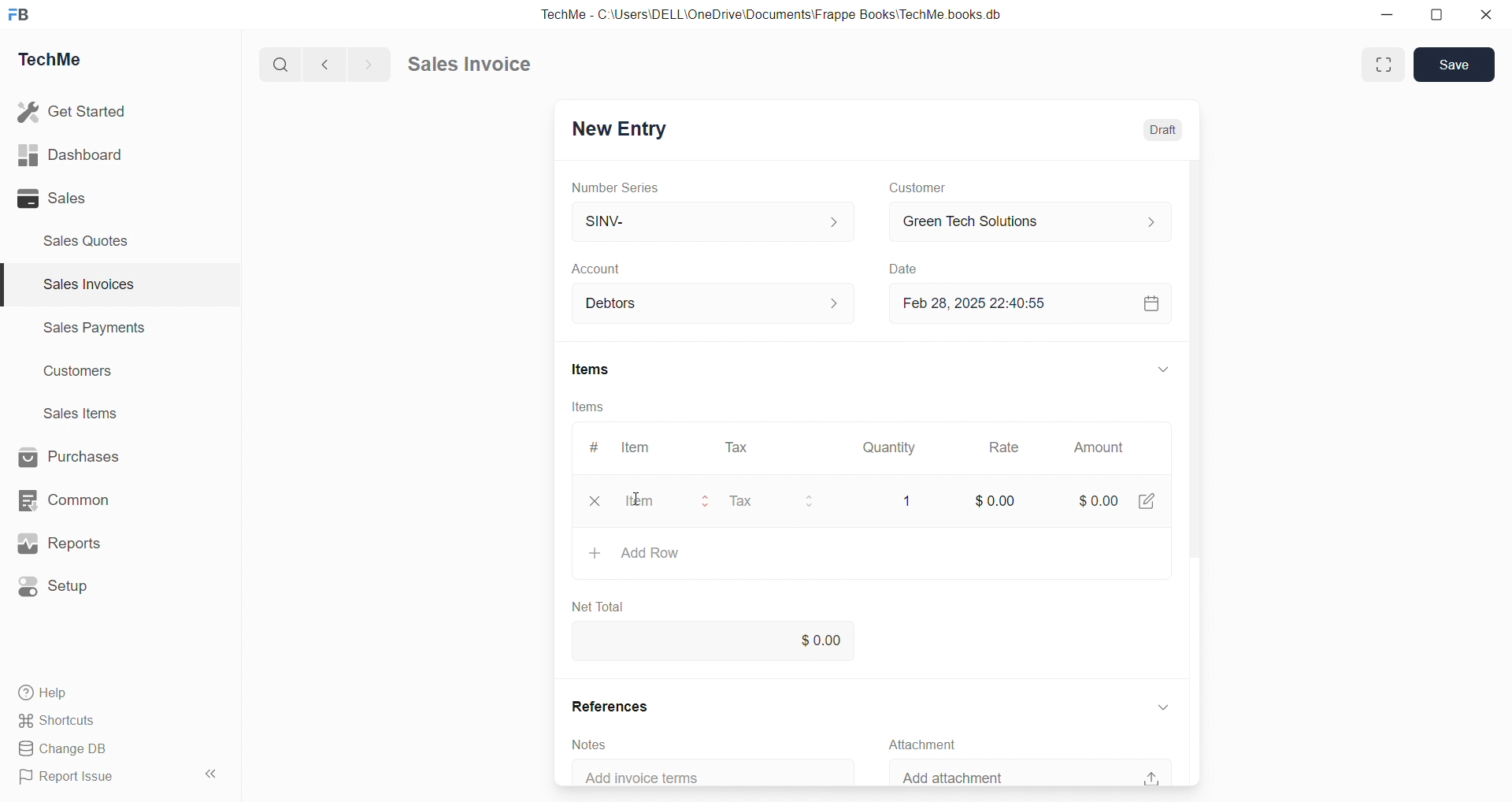  Describe the element at coordinates (592, 369) in the screenshot. I see `Items` at that location.